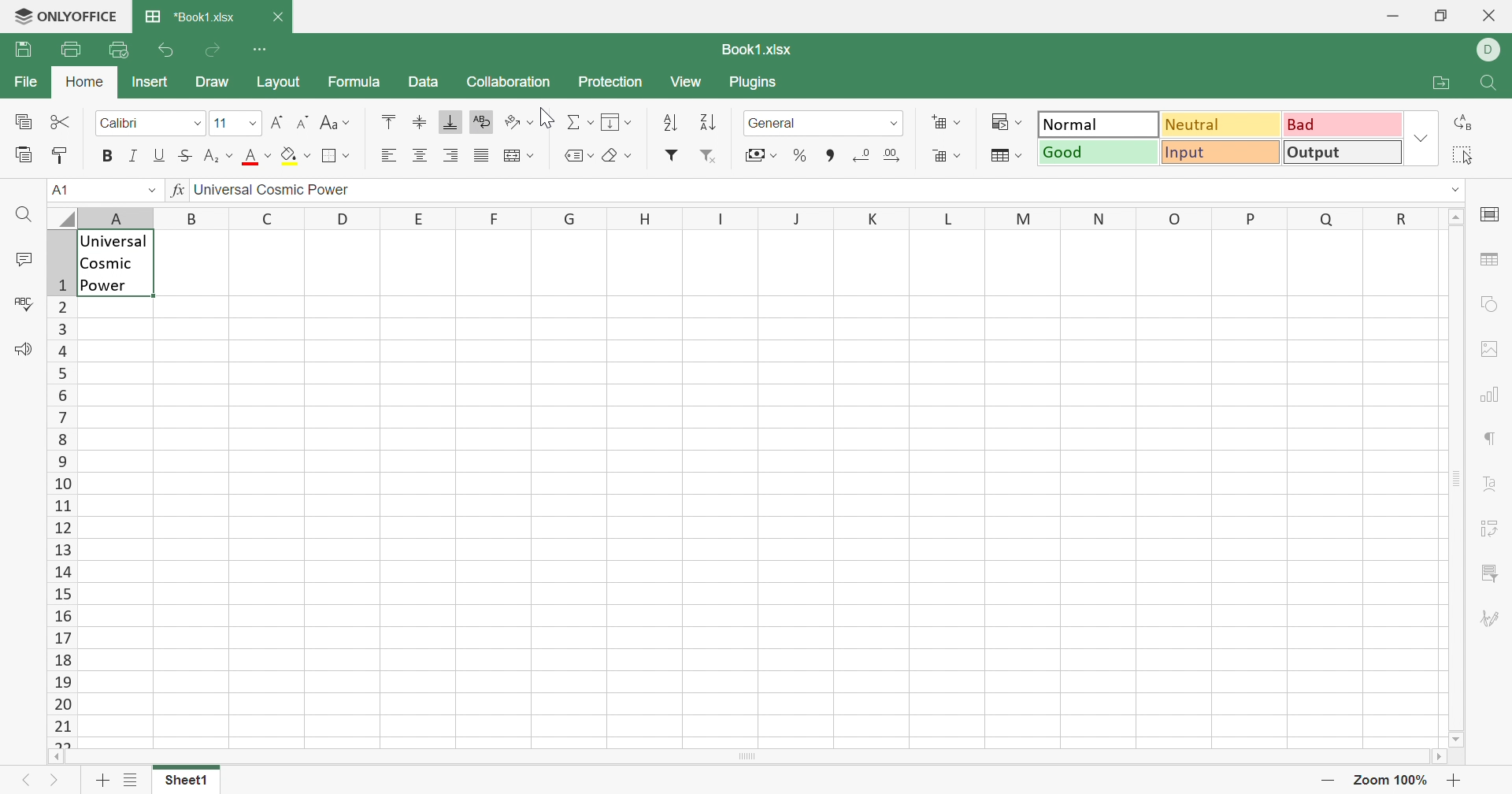  Describe the element at coordinates (802, 156) in the screenshot. I see `Percentage style` at that location.